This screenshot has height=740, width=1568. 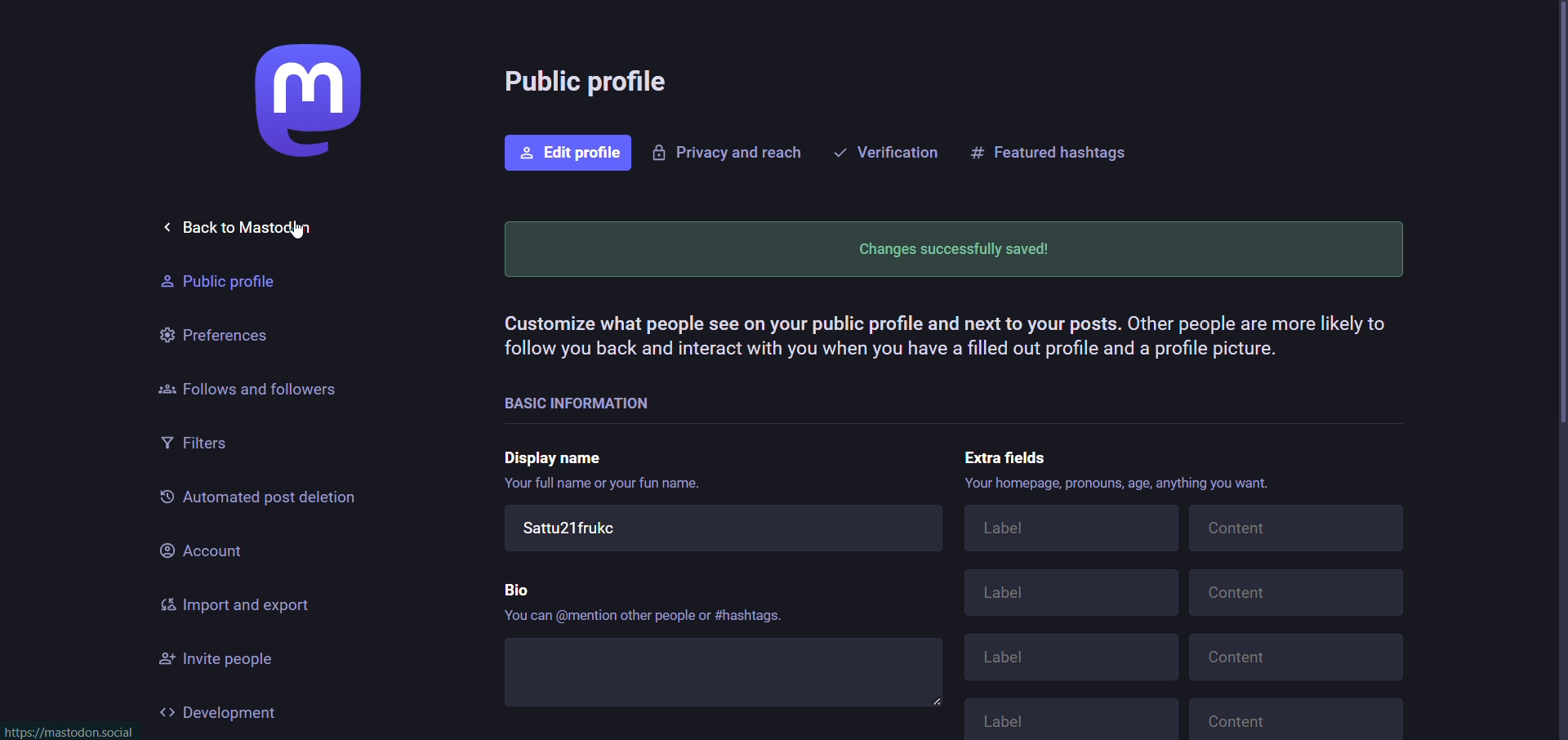 What do you see at coordinates (727, 154) in the screenshot?
I see `privacy and reacts` at bounding box center [727, 154].